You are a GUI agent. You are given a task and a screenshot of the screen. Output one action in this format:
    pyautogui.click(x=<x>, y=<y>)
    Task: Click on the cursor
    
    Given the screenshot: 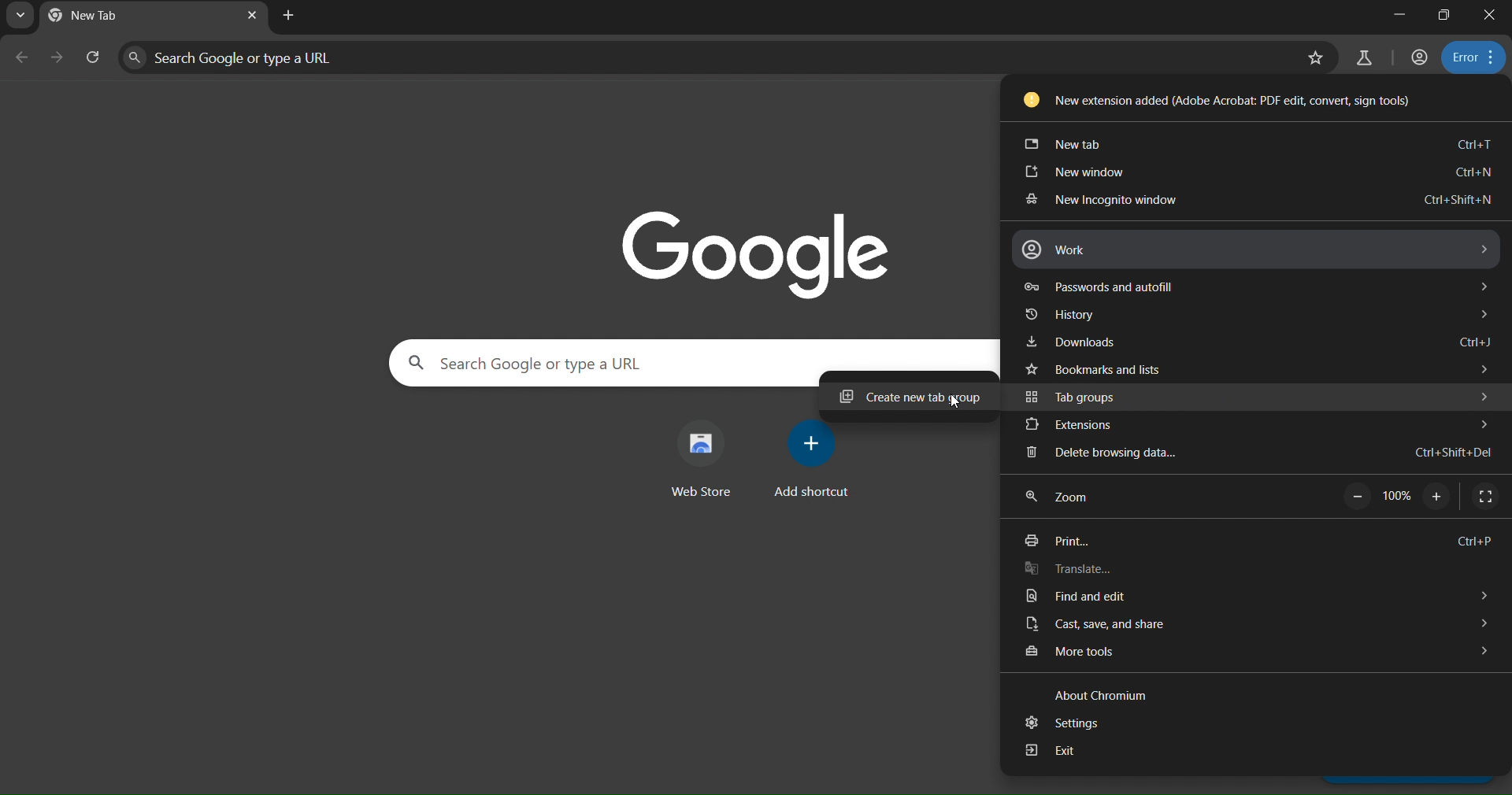 What is the action you would take?
    pyautogui.click(x=954, y=401)
    